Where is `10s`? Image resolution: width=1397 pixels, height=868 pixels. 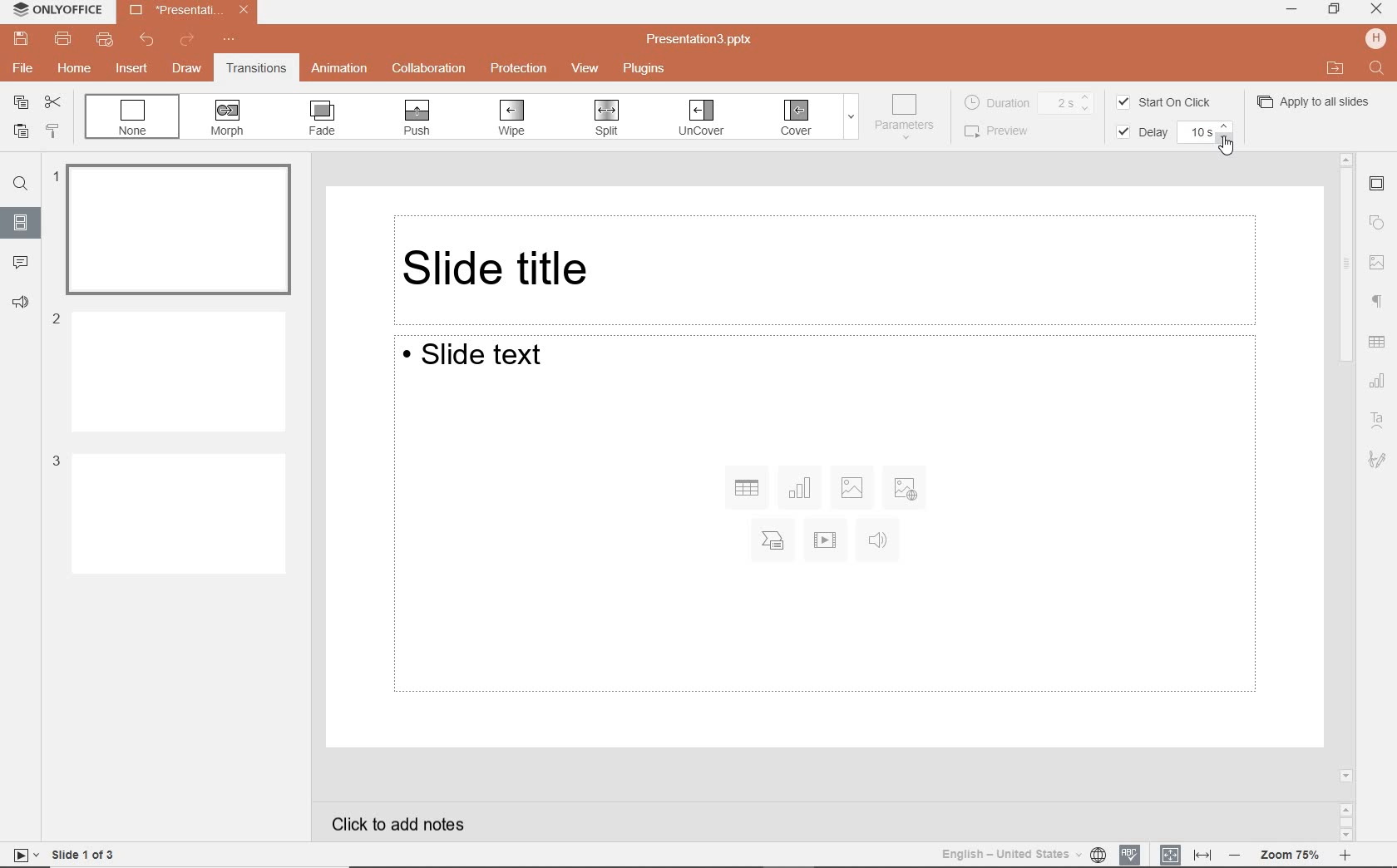 10s is located at coordinates (1207, 132).